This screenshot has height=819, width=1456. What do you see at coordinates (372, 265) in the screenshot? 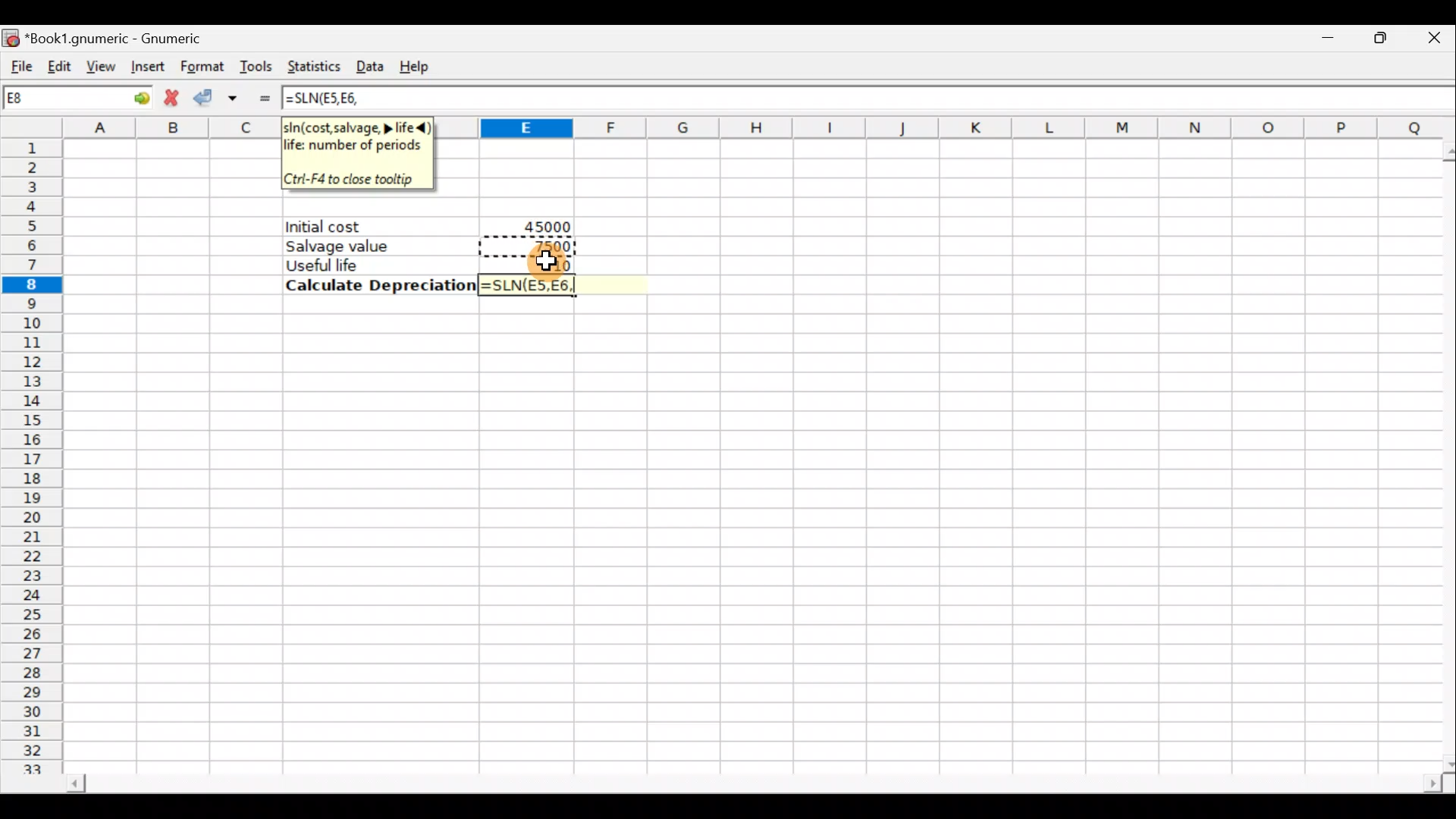
I see `Useful life` at bounding box center [372, 265].